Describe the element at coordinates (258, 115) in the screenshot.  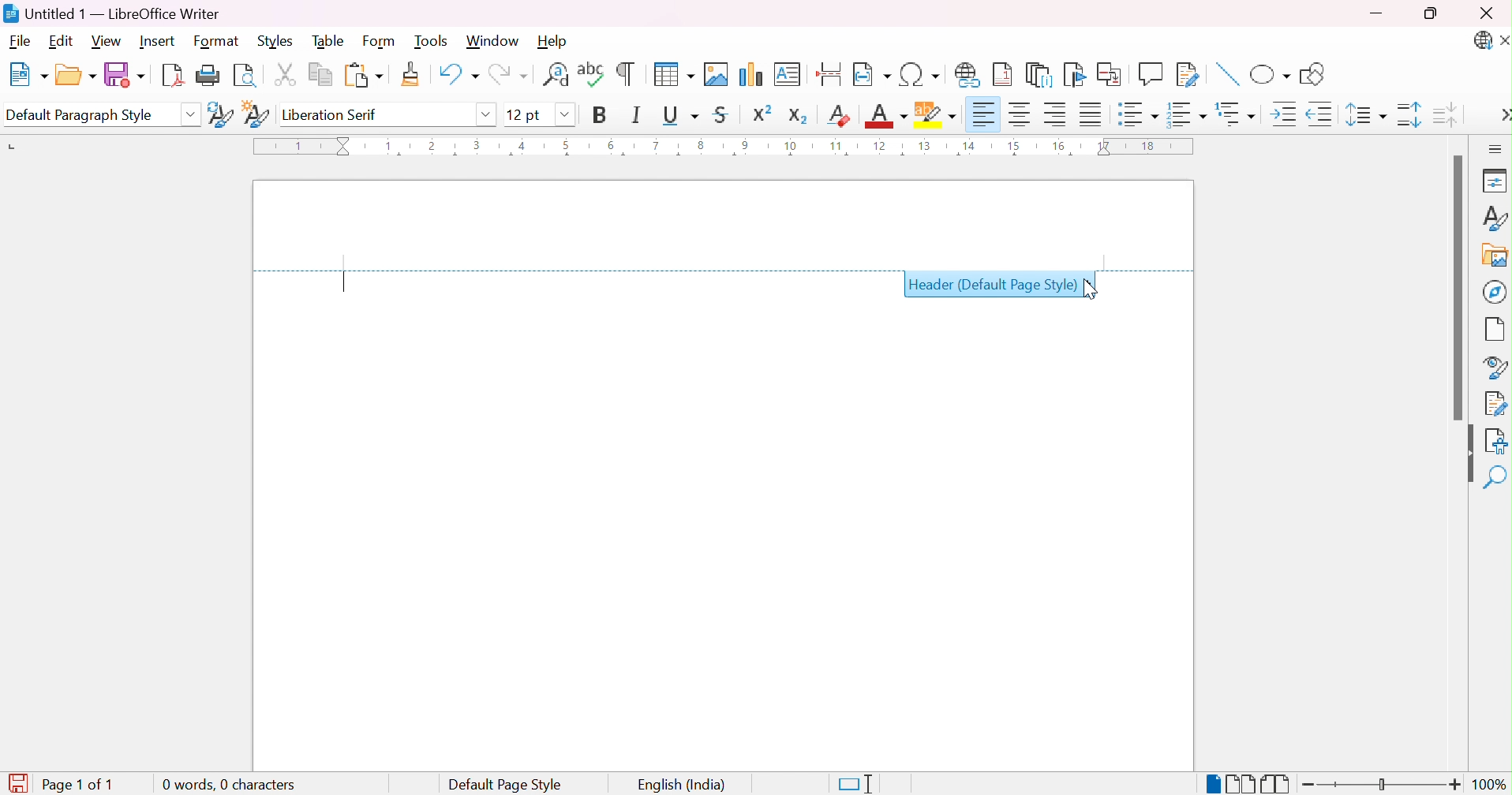
I see `New style from selection` at that location.